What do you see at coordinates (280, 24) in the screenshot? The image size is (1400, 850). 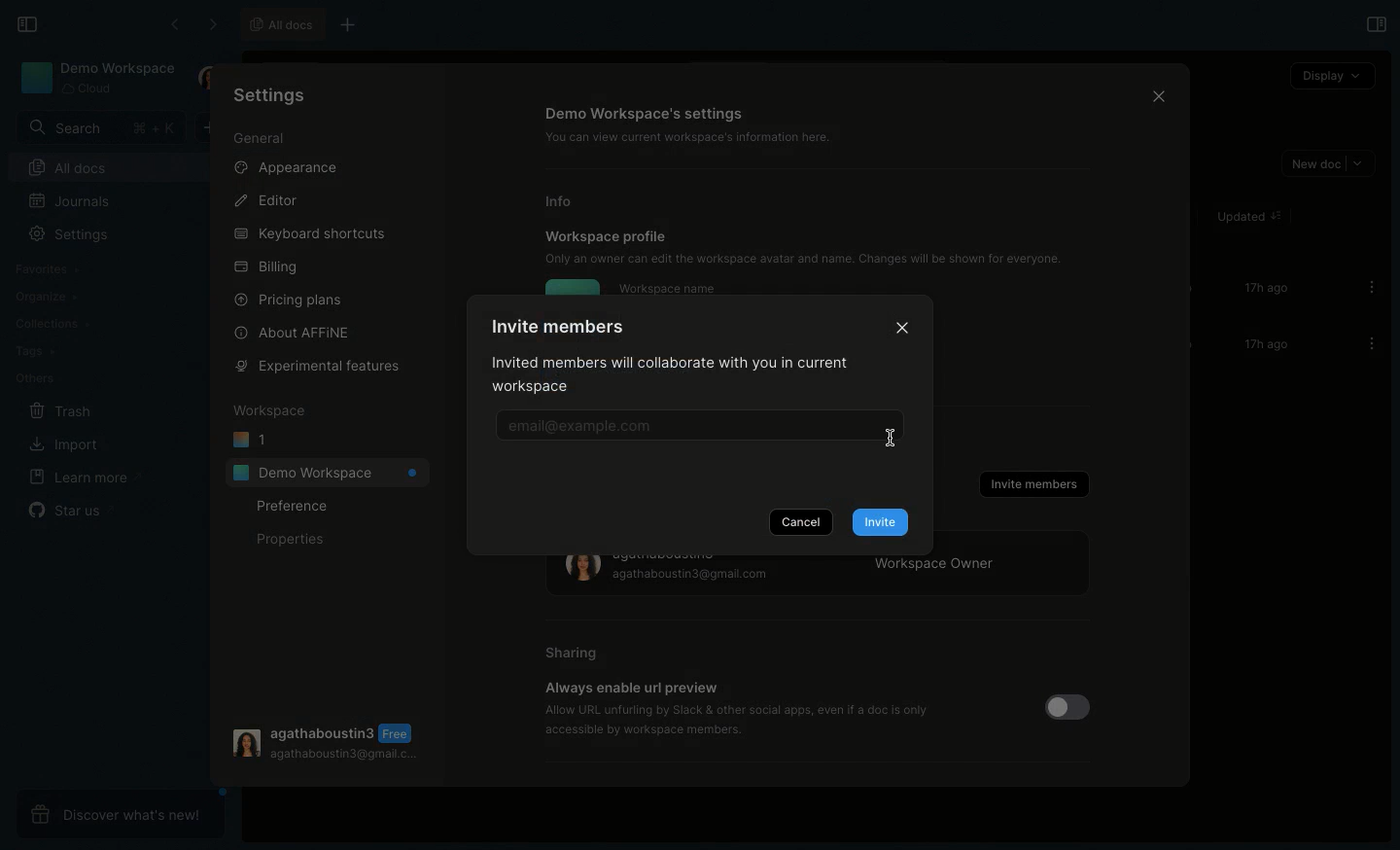 I see `All docs` at bounding box center [280, 24].